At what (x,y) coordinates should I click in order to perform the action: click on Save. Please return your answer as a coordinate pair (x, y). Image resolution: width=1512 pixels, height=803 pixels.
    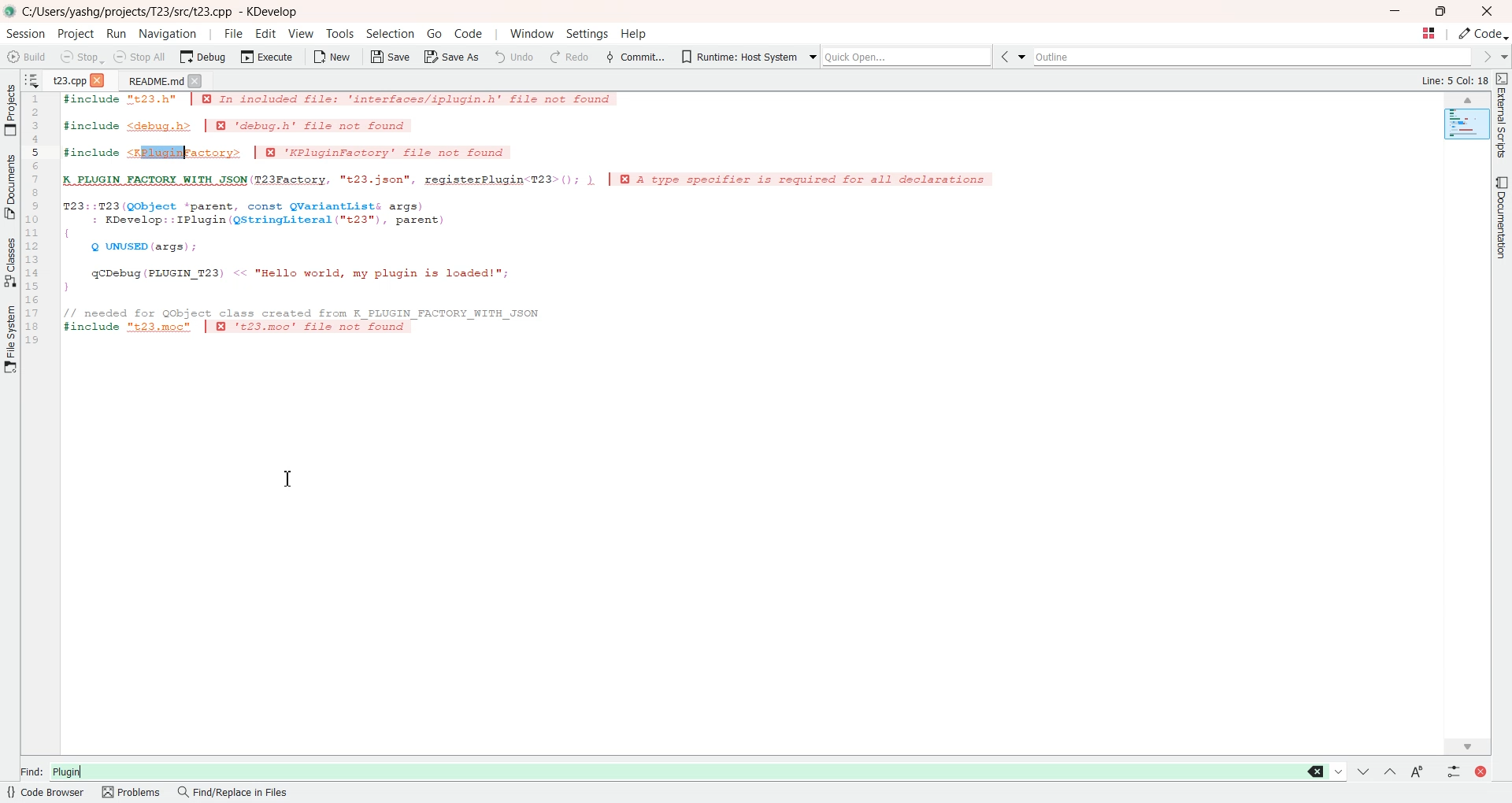
    Looking at the image, I should click on (389, 57).